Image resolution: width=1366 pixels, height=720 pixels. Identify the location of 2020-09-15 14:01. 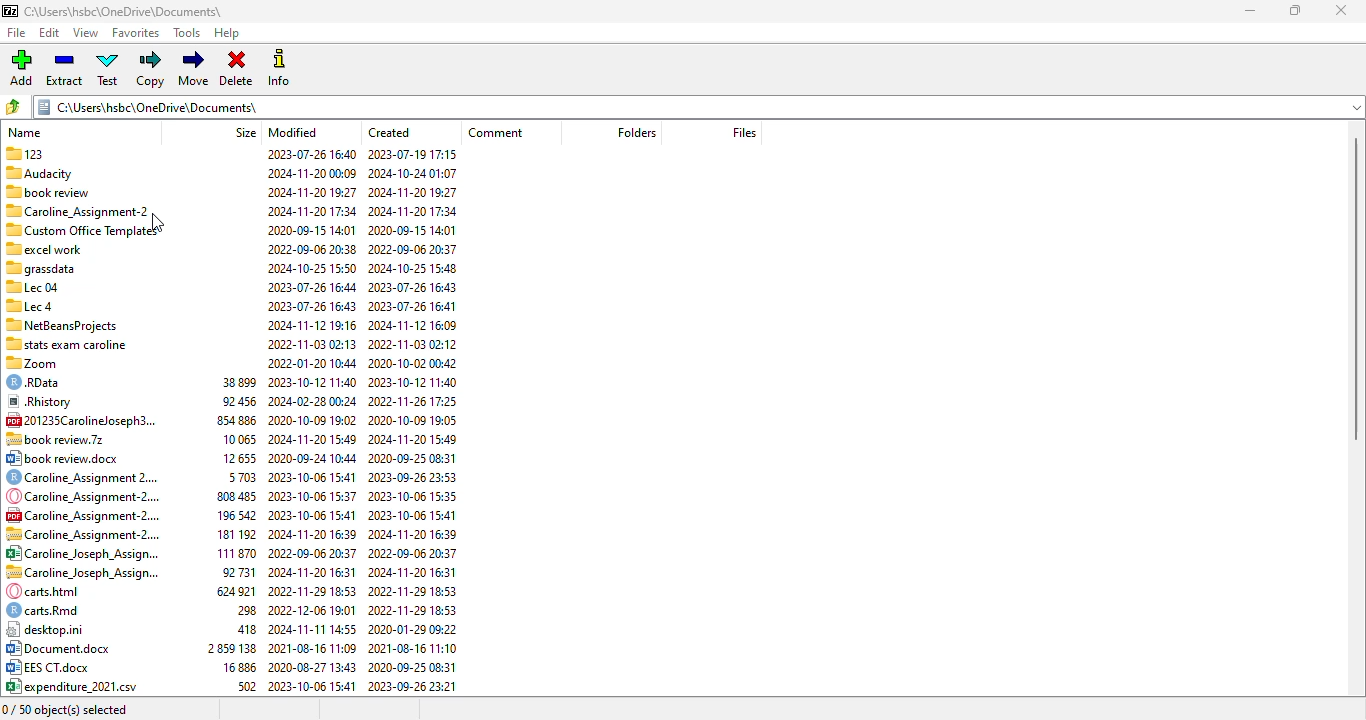
(309, 229).